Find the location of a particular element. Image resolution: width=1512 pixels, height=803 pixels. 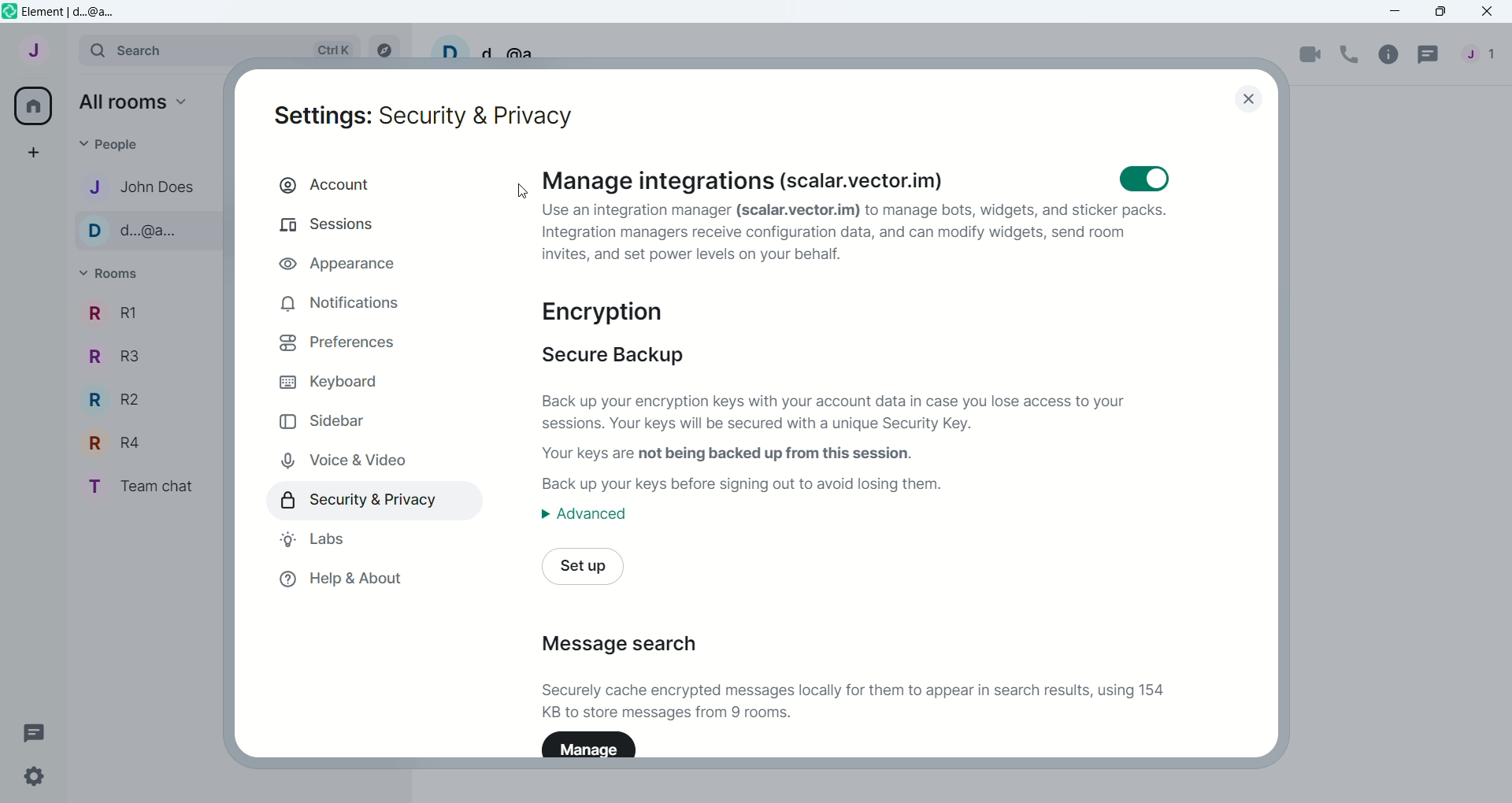

D d...@a... is located at coordinates (135, 230).